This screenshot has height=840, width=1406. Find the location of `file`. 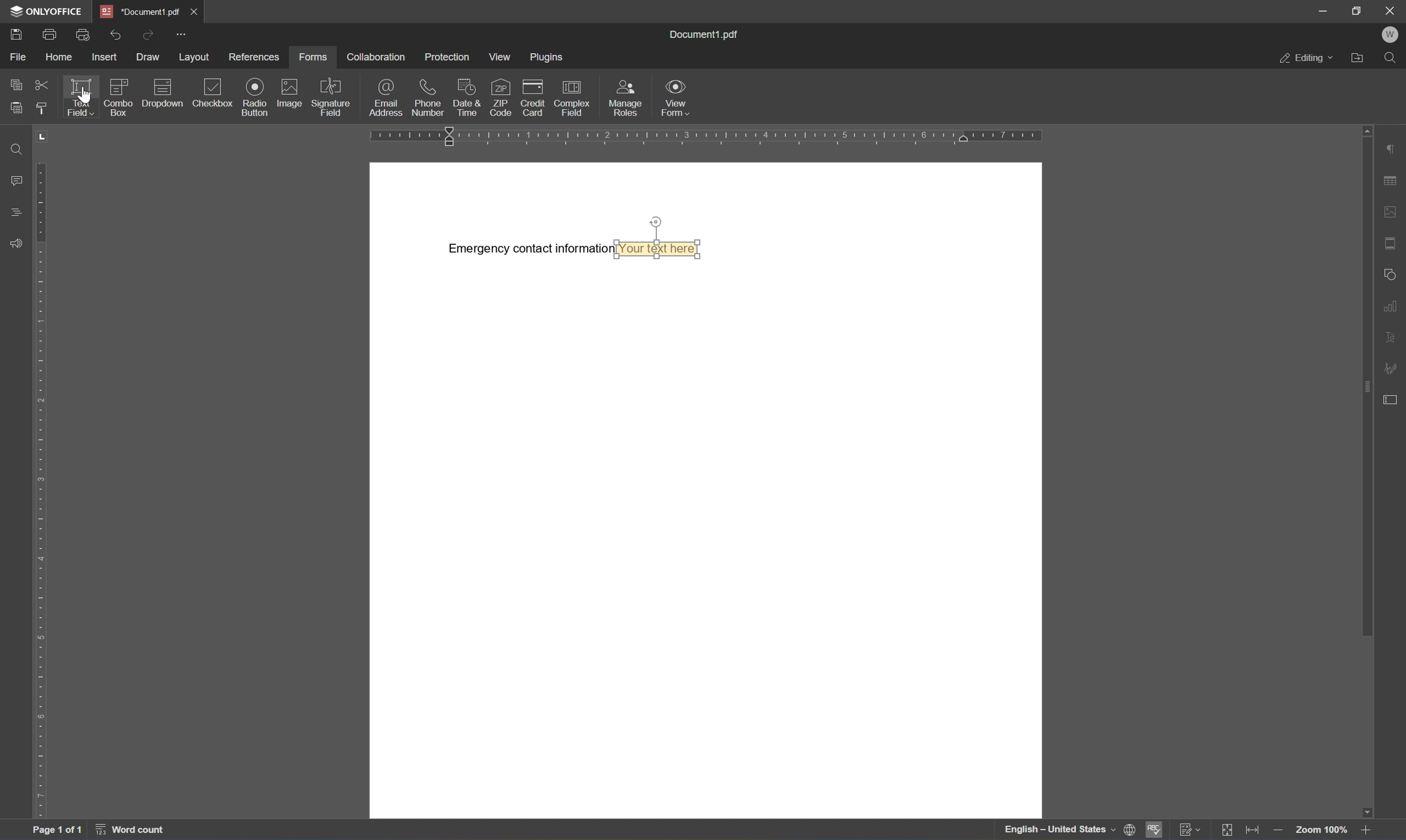

file is located at coordinates (18, 57).